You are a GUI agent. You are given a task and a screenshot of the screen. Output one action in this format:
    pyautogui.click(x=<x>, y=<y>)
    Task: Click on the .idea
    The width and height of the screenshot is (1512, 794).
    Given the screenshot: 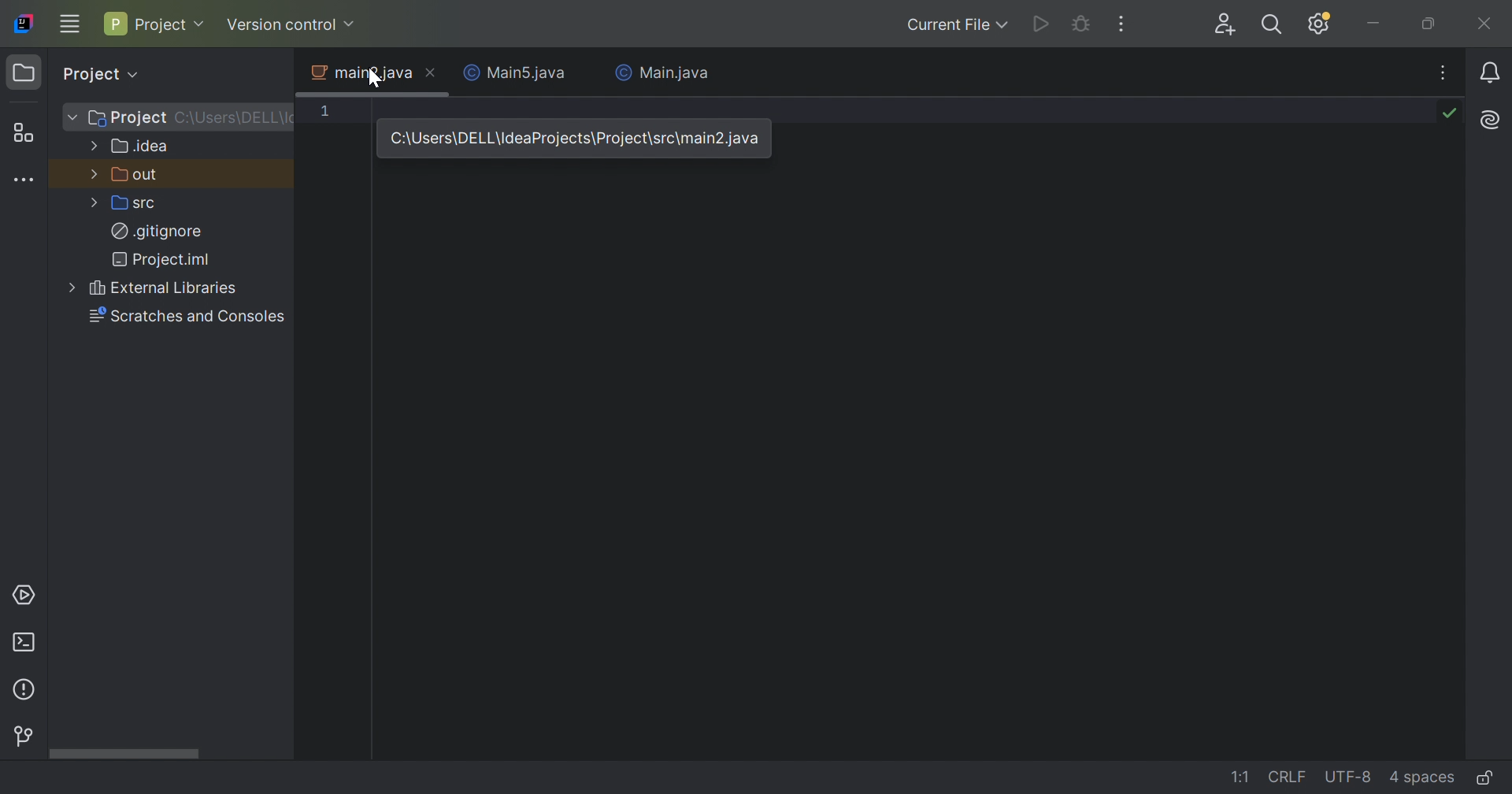 What is the action you would take?
    pyautogui.click(x=142, y=147)
    